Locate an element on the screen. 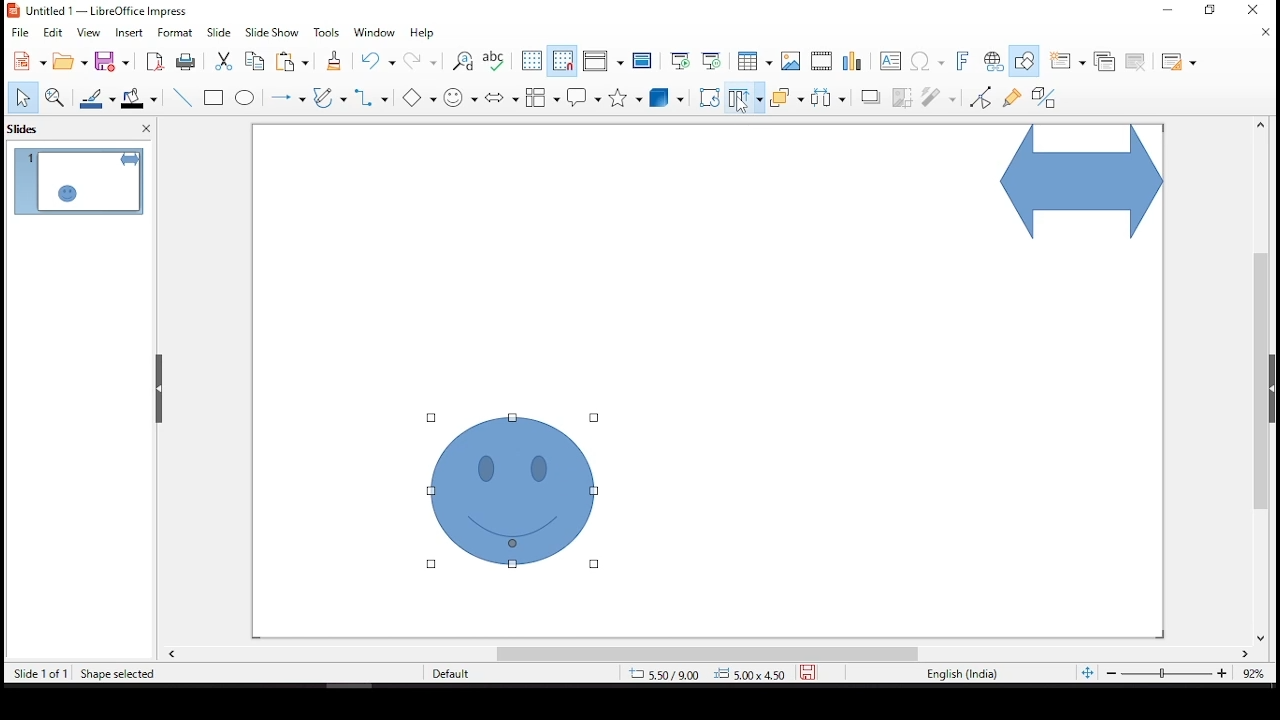 This screenshot has height=720, width=1280. toggle extrusion is located at coordinates (1043, 99).